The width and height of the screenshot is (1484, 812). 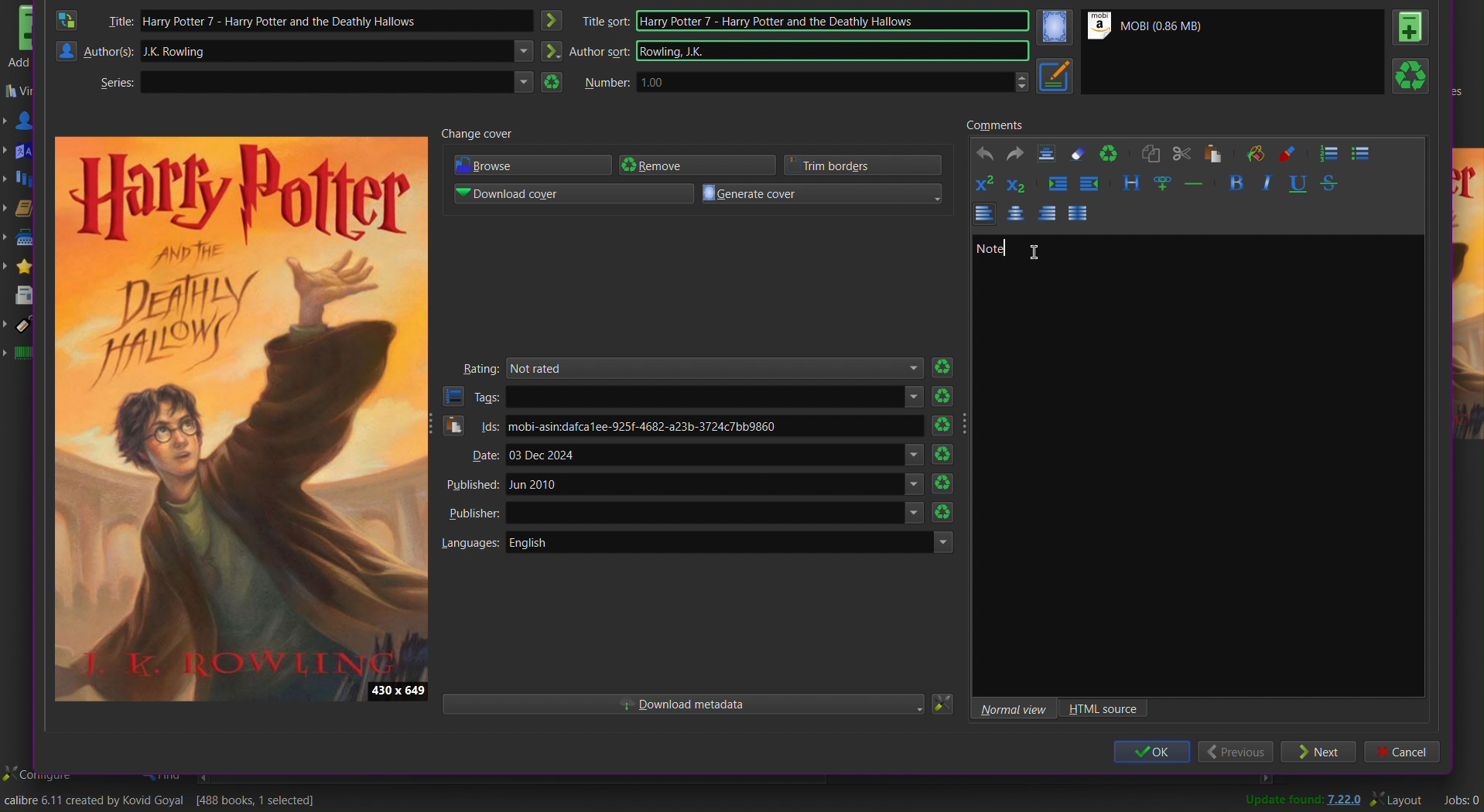 I want to click on Bold, so click(x=1238, y=183).